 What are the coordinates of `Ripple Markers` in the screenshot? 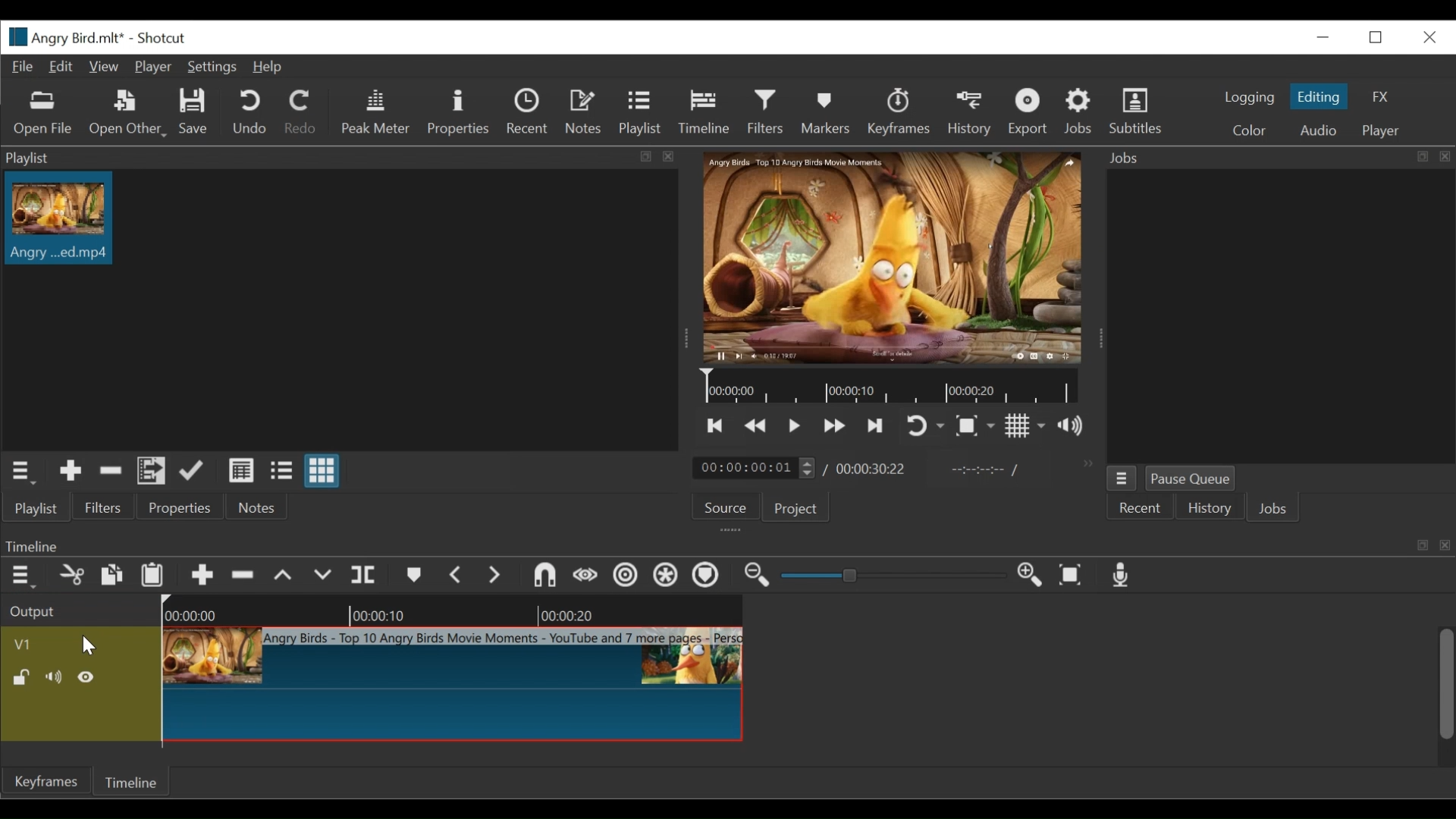 It's located at (709, 578).